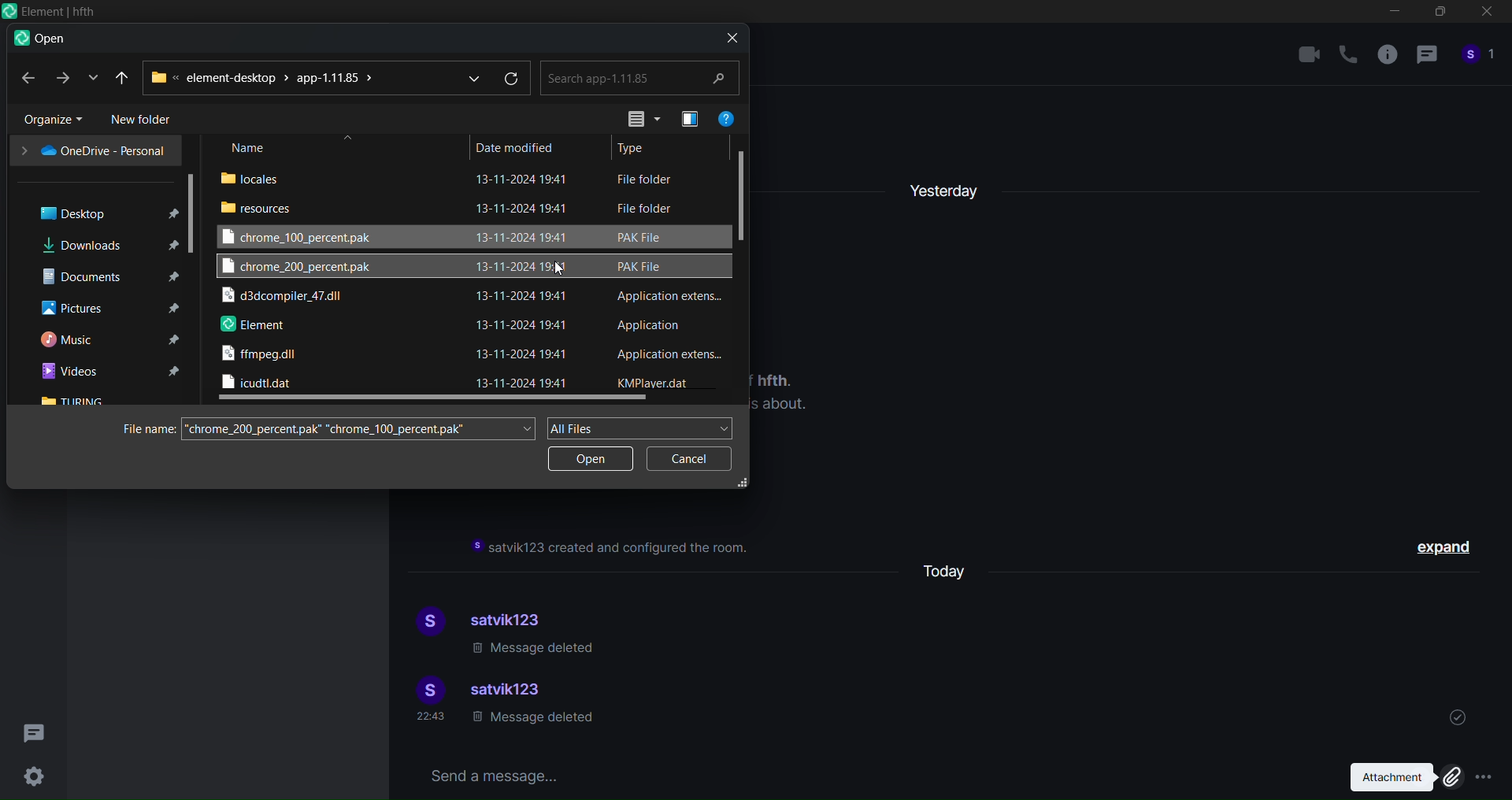 The height and width of the screenshot is (800, 1512). I want to click on display picture, so click(426, 690).